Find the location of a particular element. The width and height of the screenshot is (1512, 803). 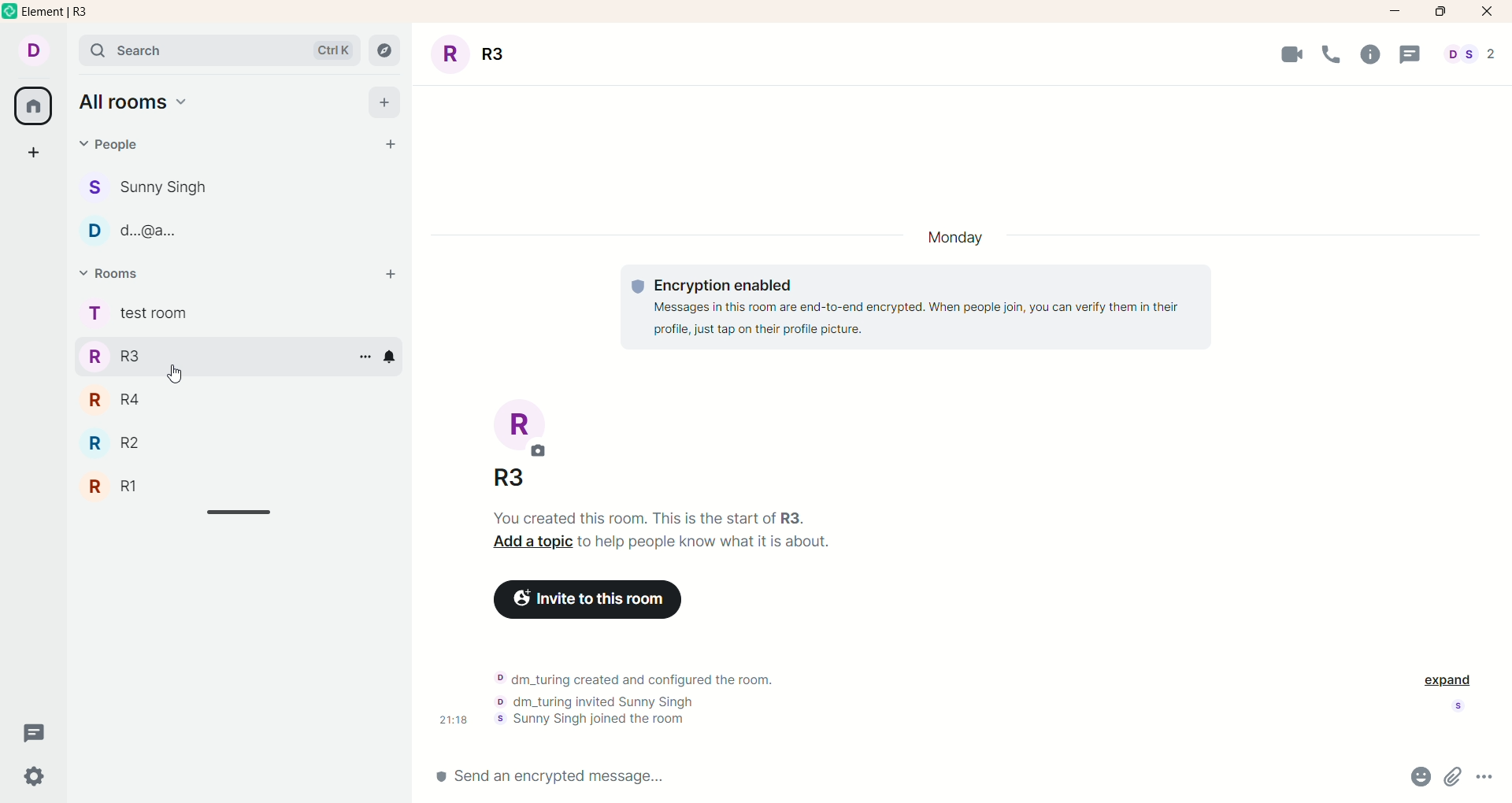

Video Call is located at coordinates (1289, 53).